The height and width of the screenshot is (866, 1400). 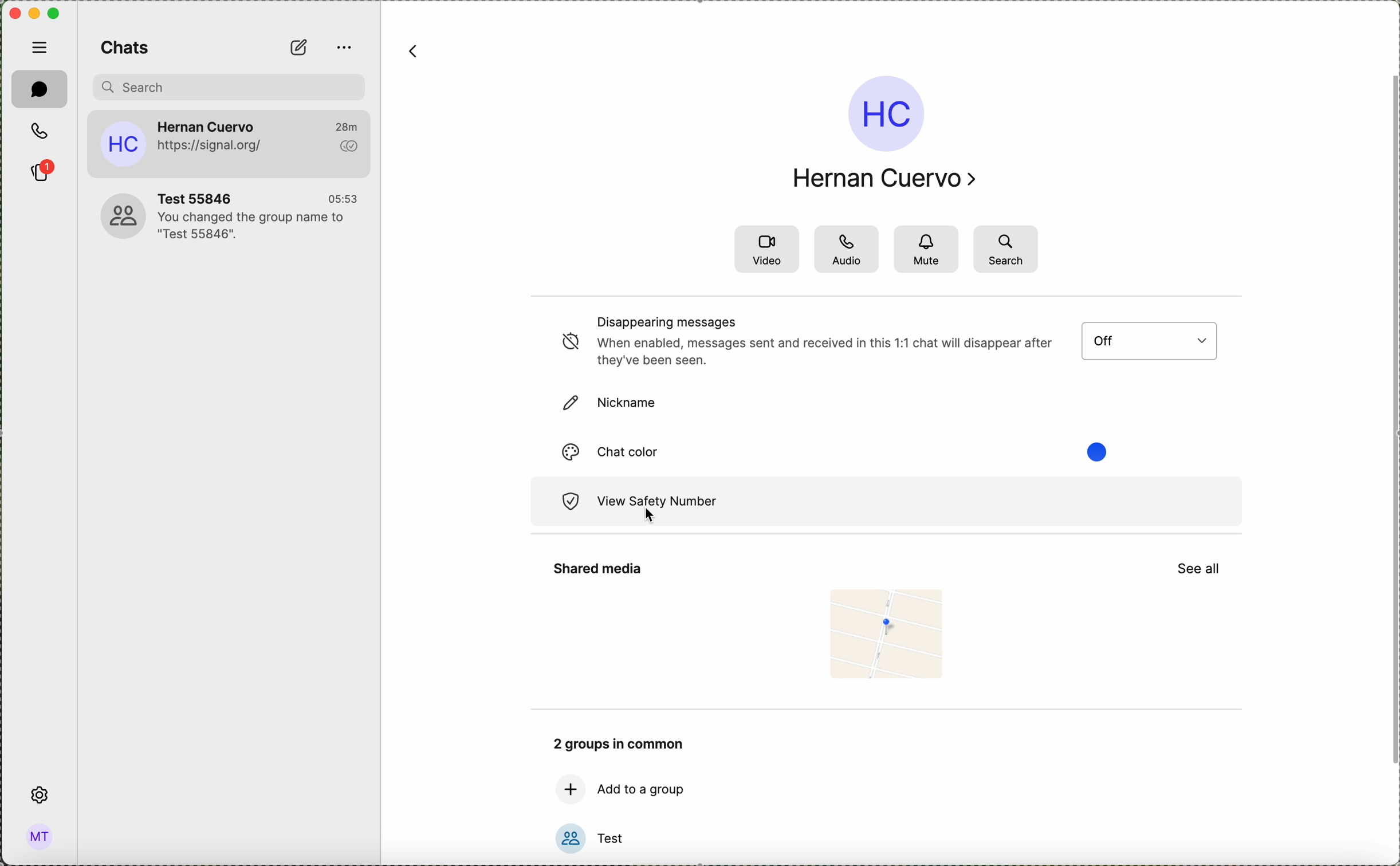 What do you see at coordinates (630, 404) in the screenshot?
I see `nickname ` at bounding box center [630, 404].